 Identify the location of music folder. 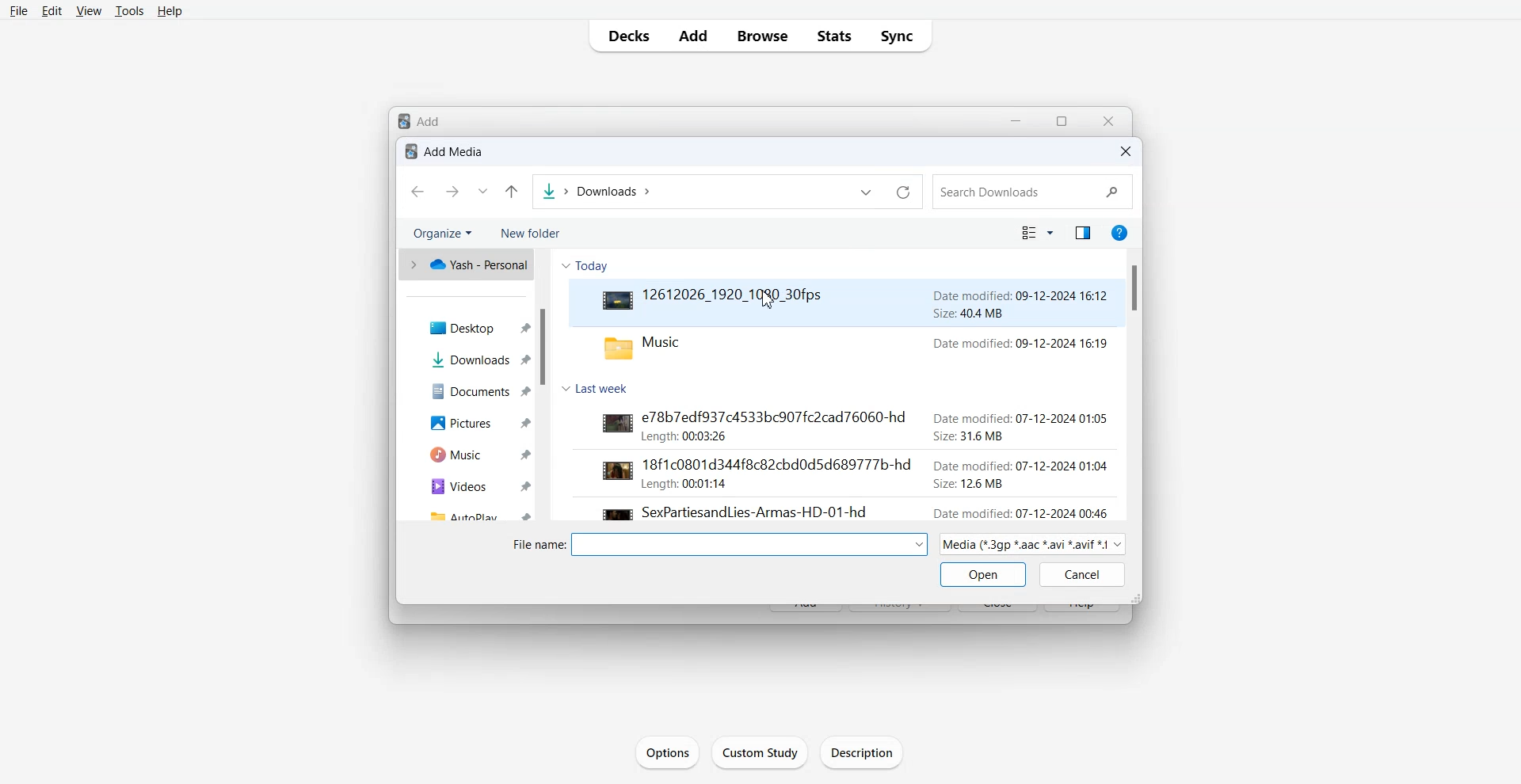
(844, 348).